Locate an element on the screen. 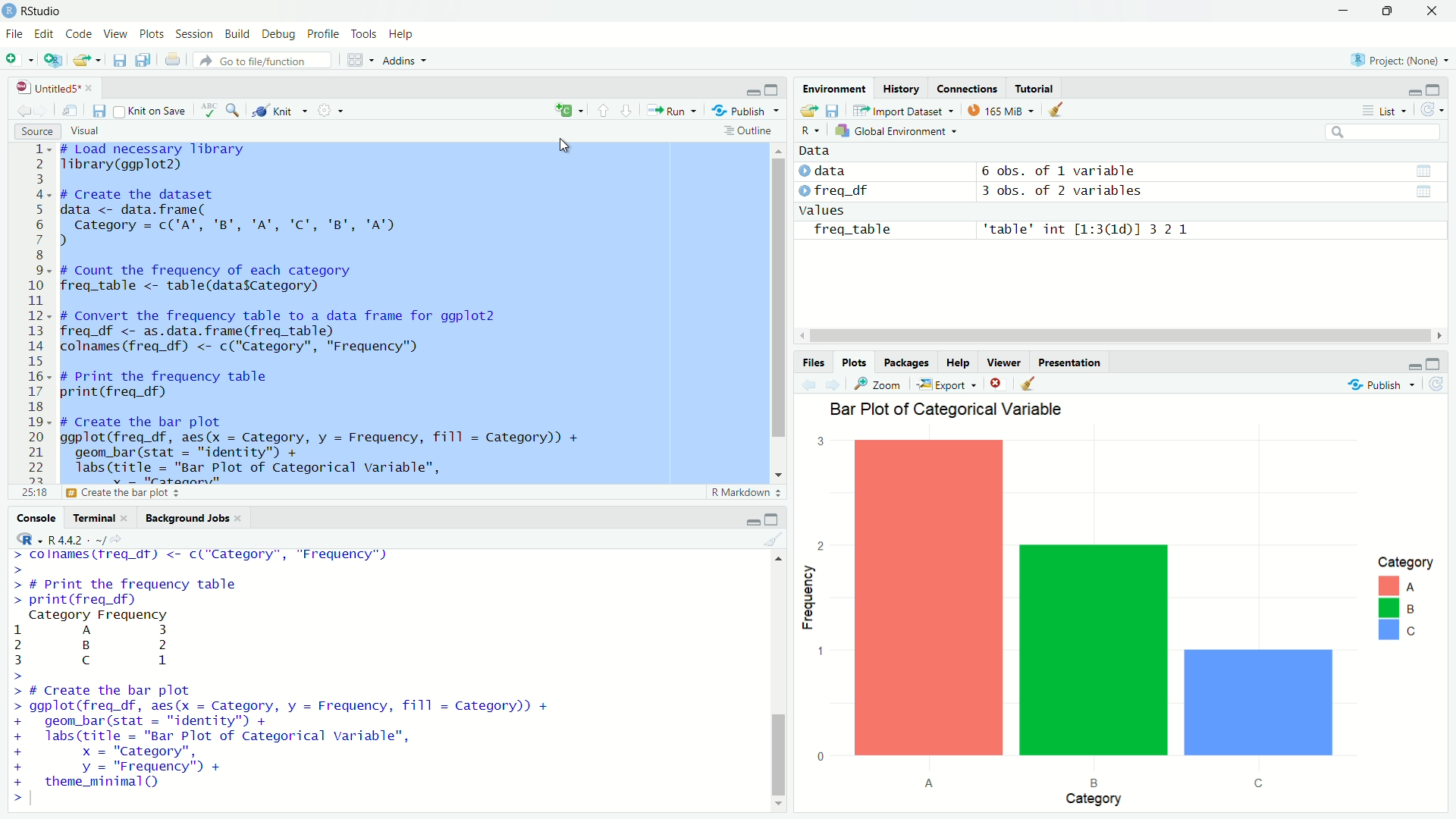  save is located at coordinates (101, 111).